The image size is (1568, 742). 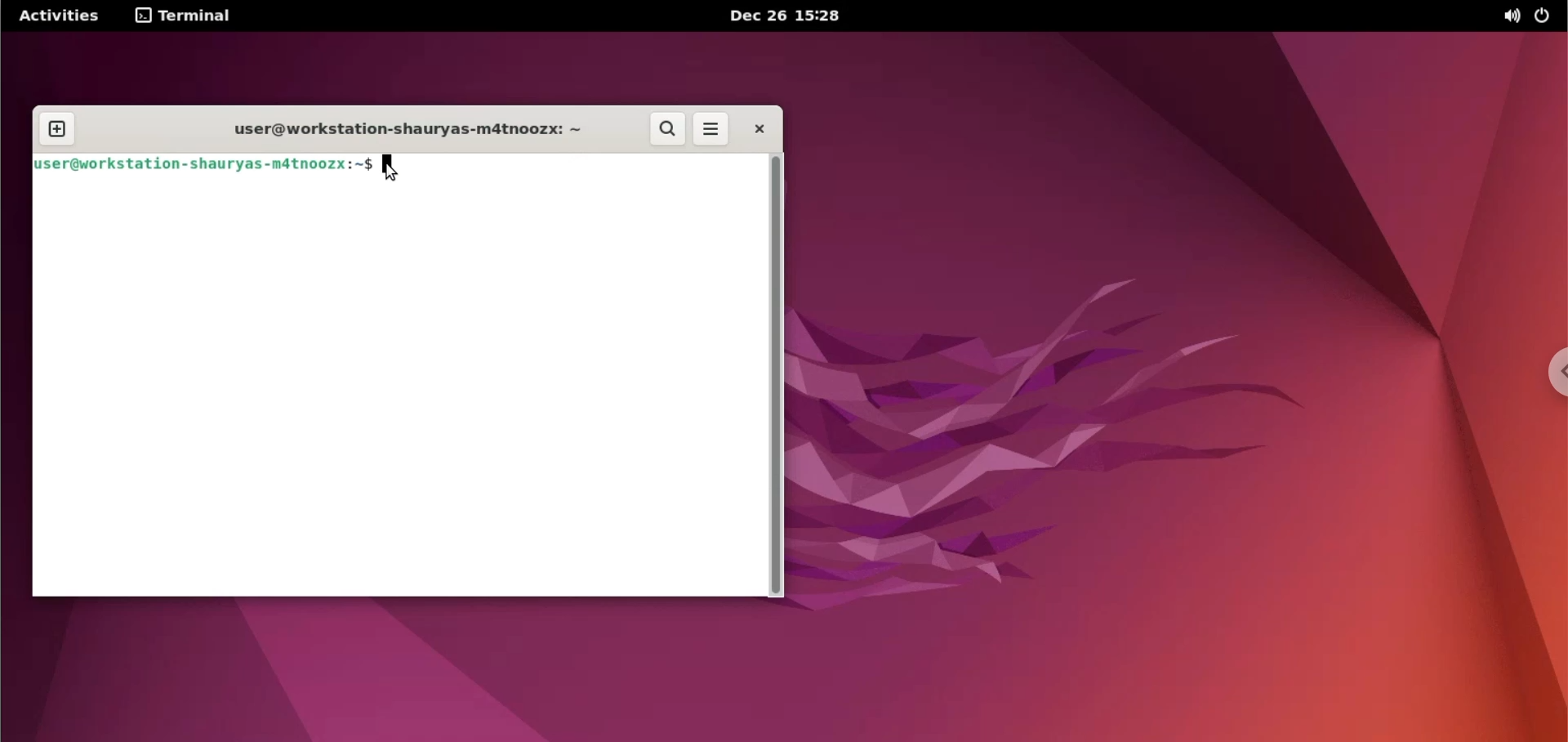 I want to click on chrome options, so click(x=1549, y=372).